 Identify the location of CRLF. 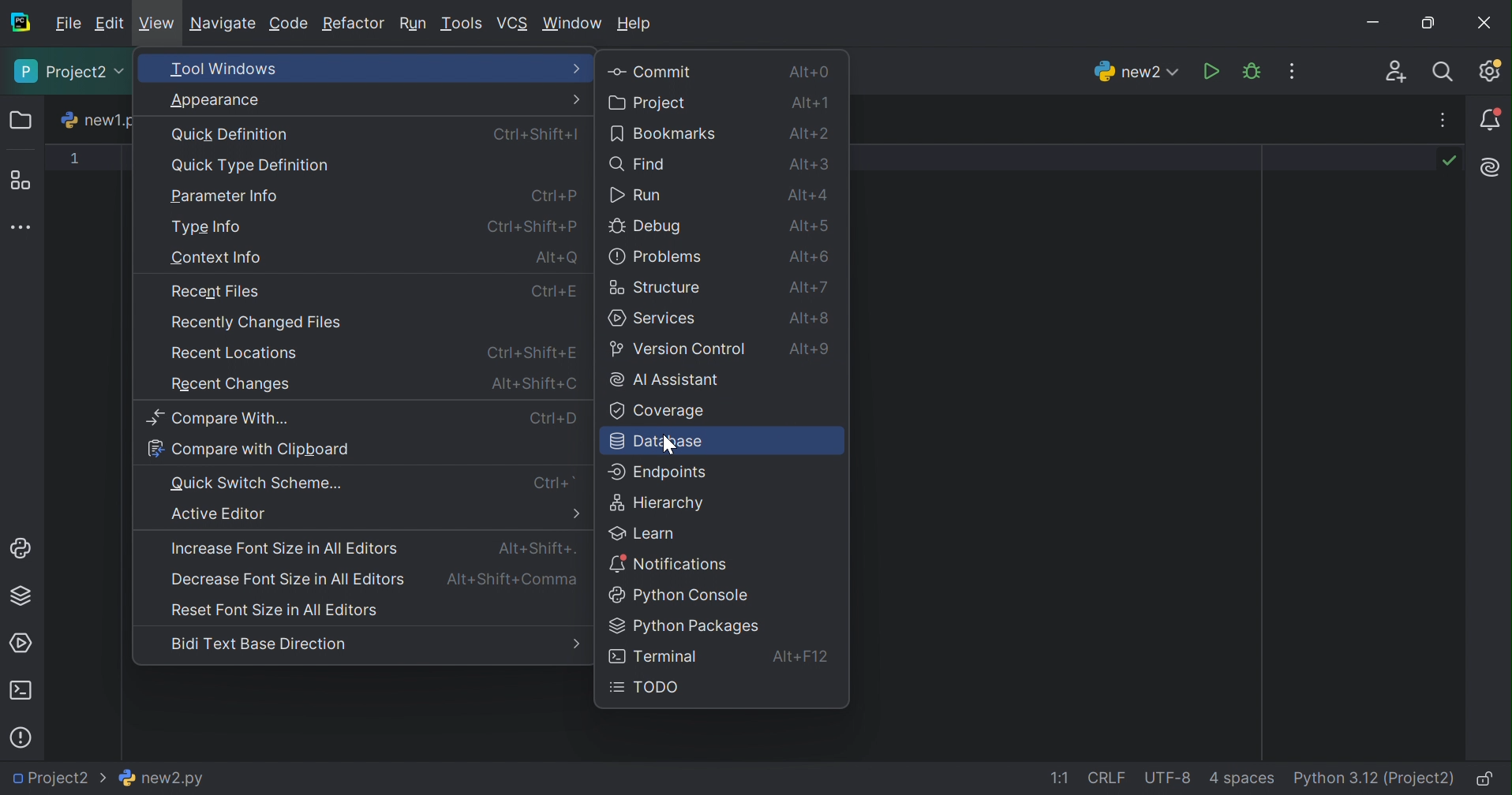
(1105, 777).